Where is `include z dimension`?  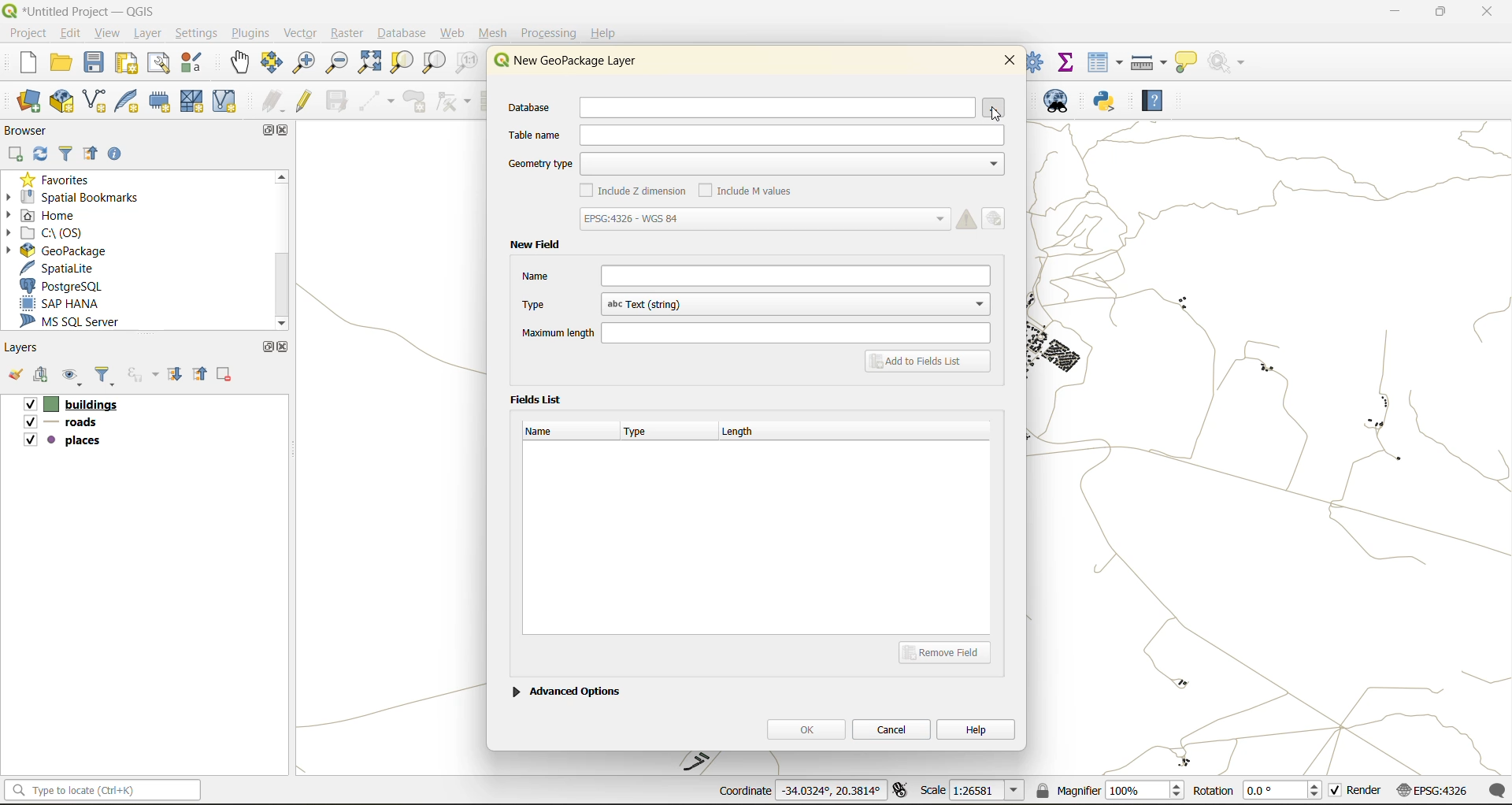
include z dimension is located at coordinates (636, 192).